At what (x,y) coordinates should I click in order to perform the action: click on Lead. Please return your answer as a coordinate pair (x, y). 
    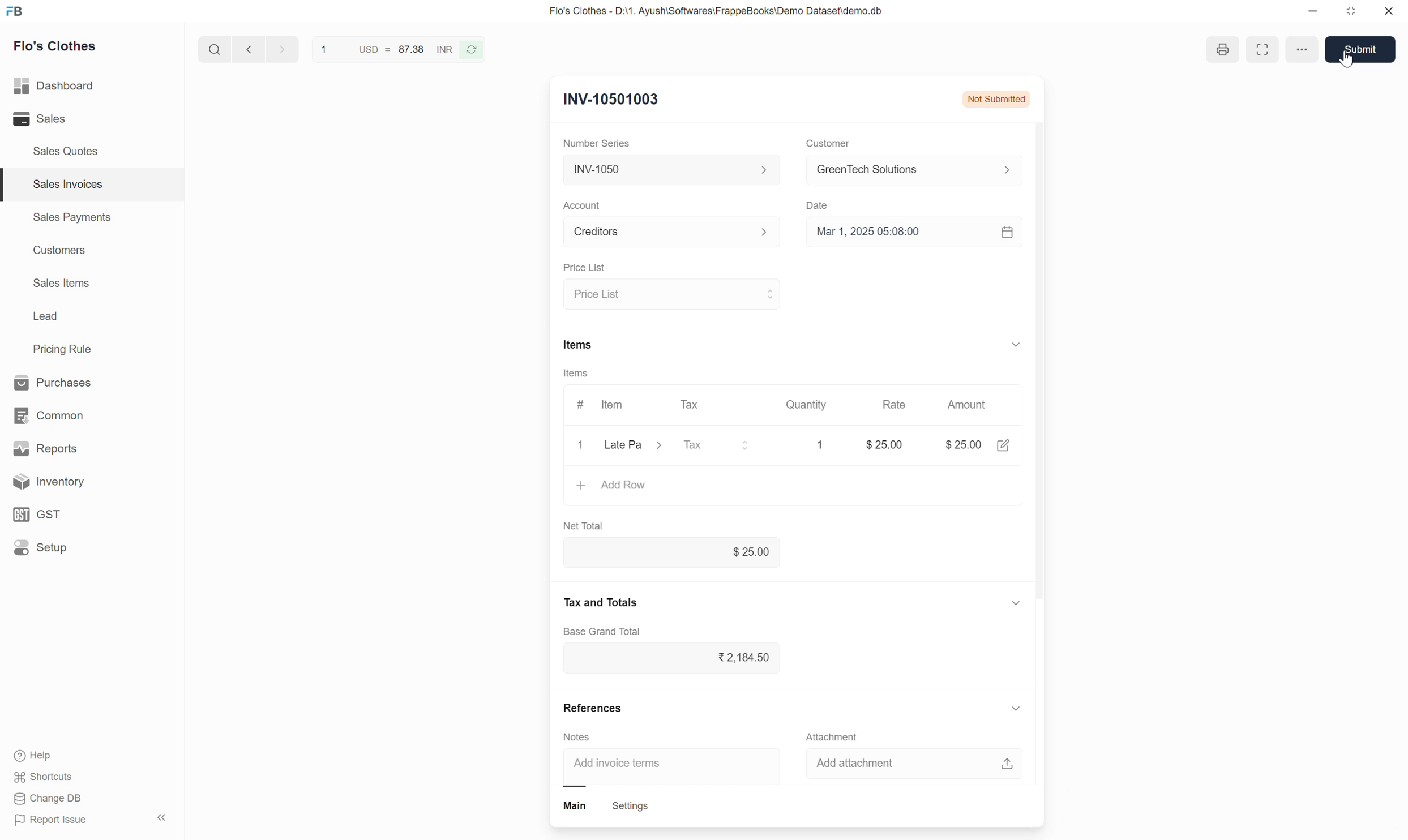
    Looking at the image, I should click on (45, 318).